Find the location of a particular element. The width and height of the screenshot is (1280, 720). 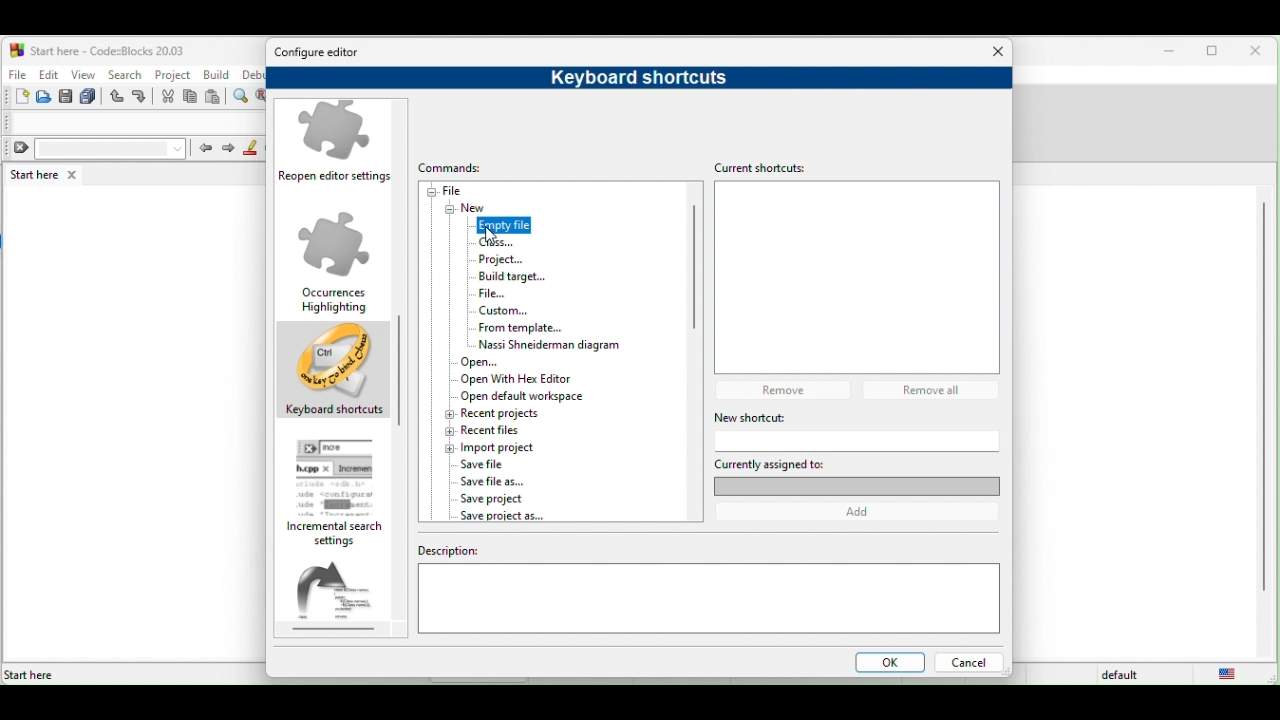

keyboard shortcuts is located at coordinates (334, 373).